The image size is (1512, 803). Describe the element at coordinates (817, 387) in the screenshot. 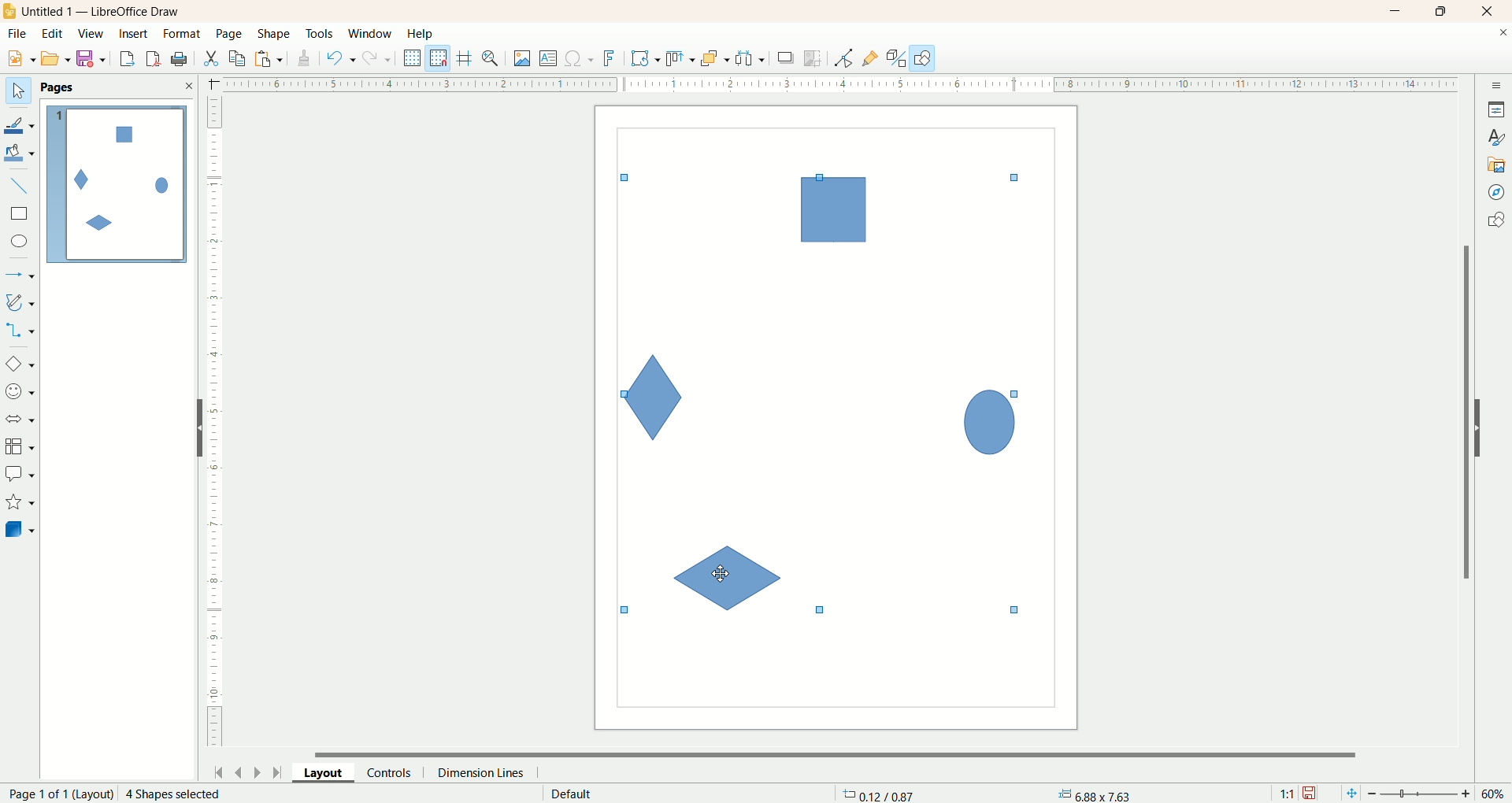

I see `shapes selected` at that location.